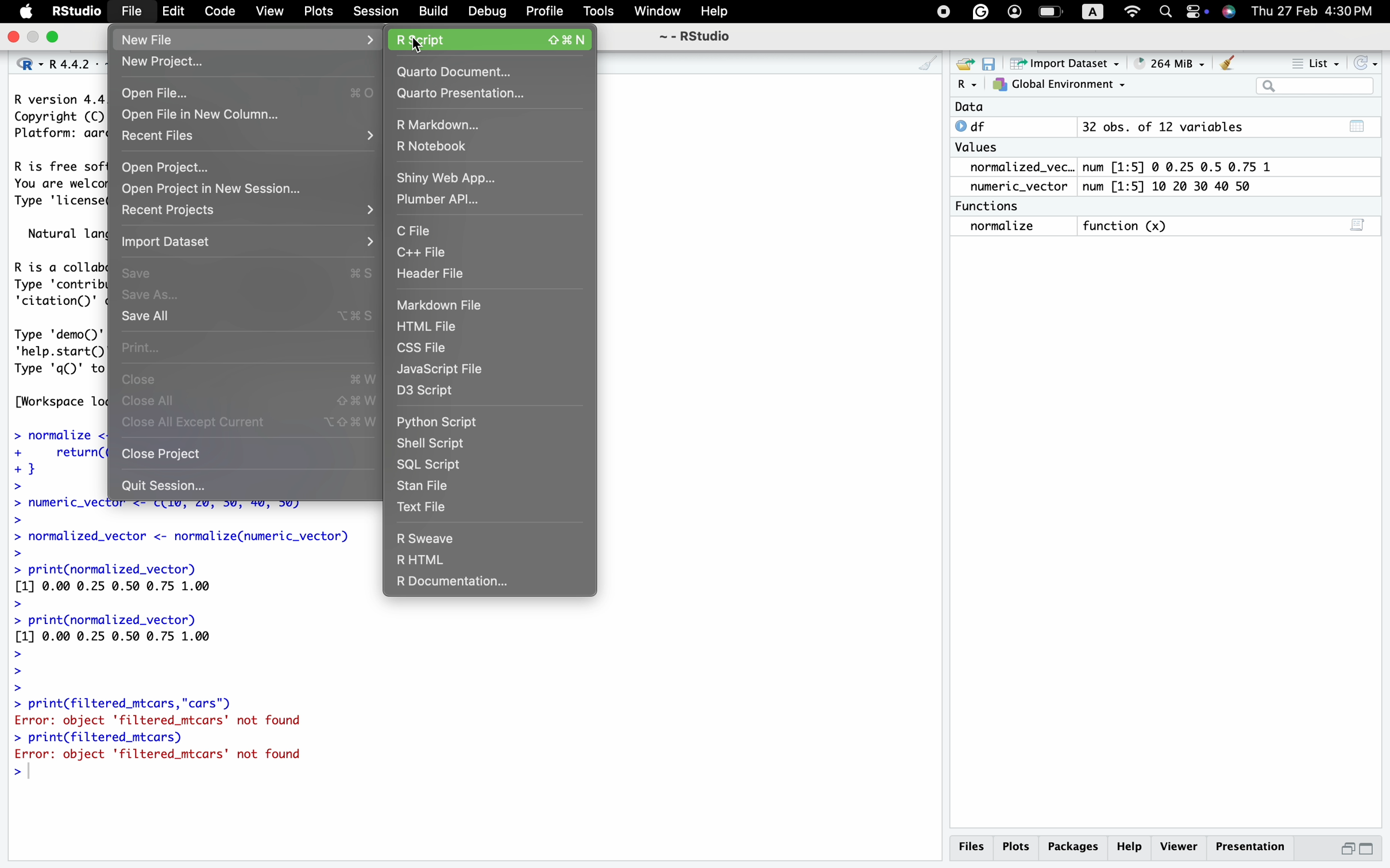 Image resolution: width=1390 pixels, height=868 pixels. I want to click on help, so click(1131, 848).